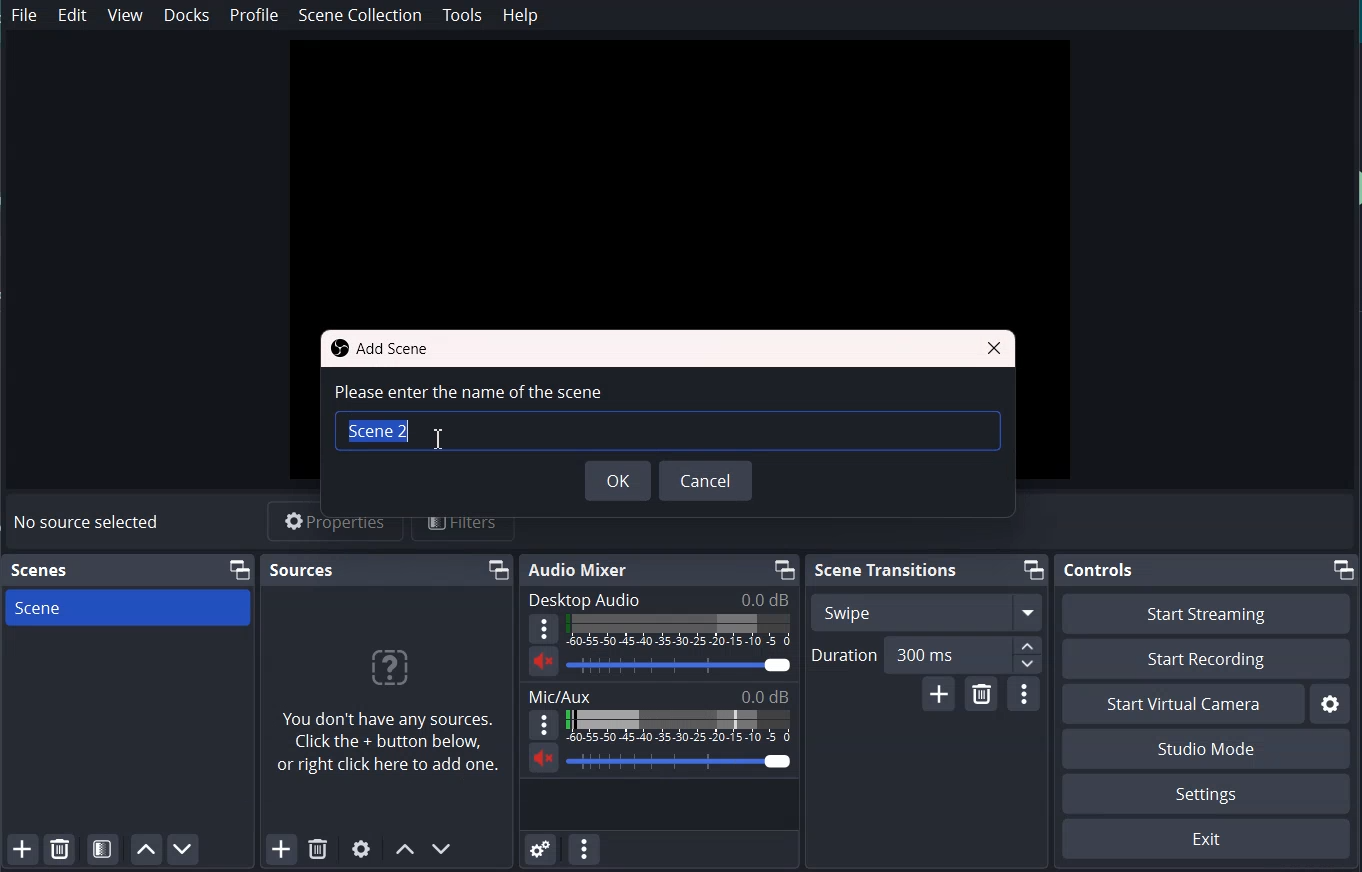  I want to click on File, so click(26, 16).